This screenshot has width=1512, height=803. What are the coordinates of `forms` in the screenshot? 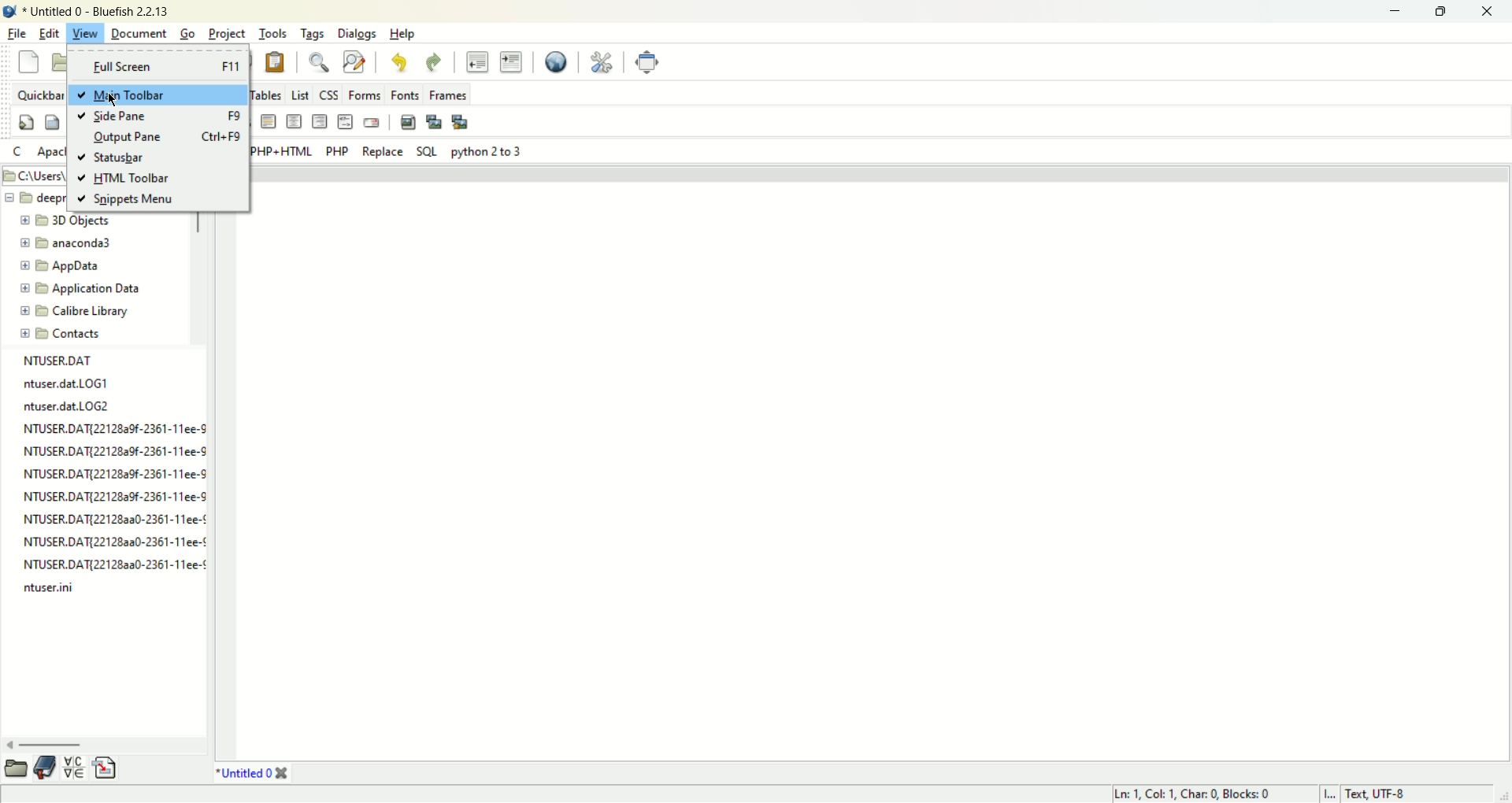 It's located at (365, 94).